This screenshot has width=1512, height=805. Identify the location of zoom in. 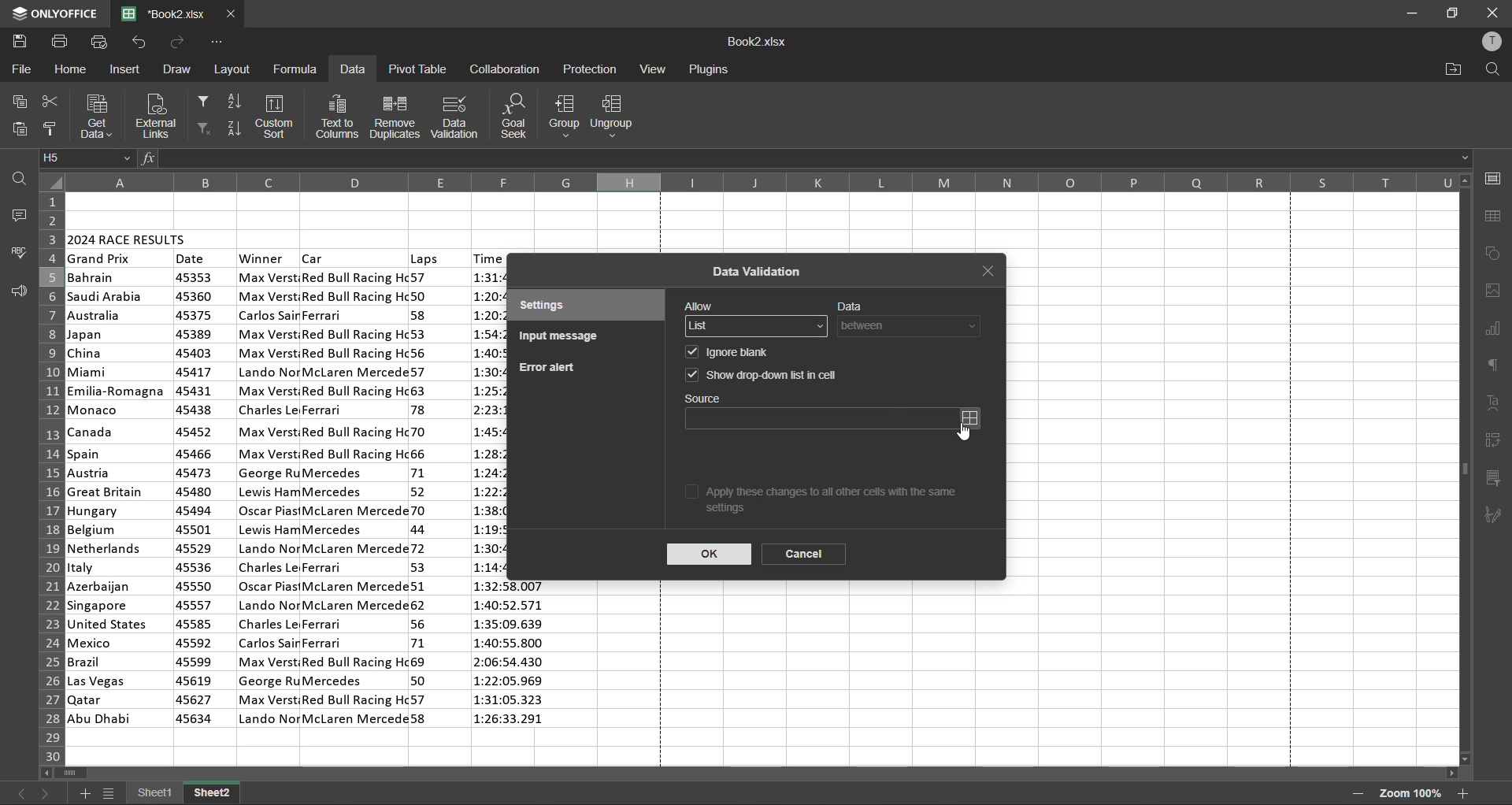
(1463, 793).